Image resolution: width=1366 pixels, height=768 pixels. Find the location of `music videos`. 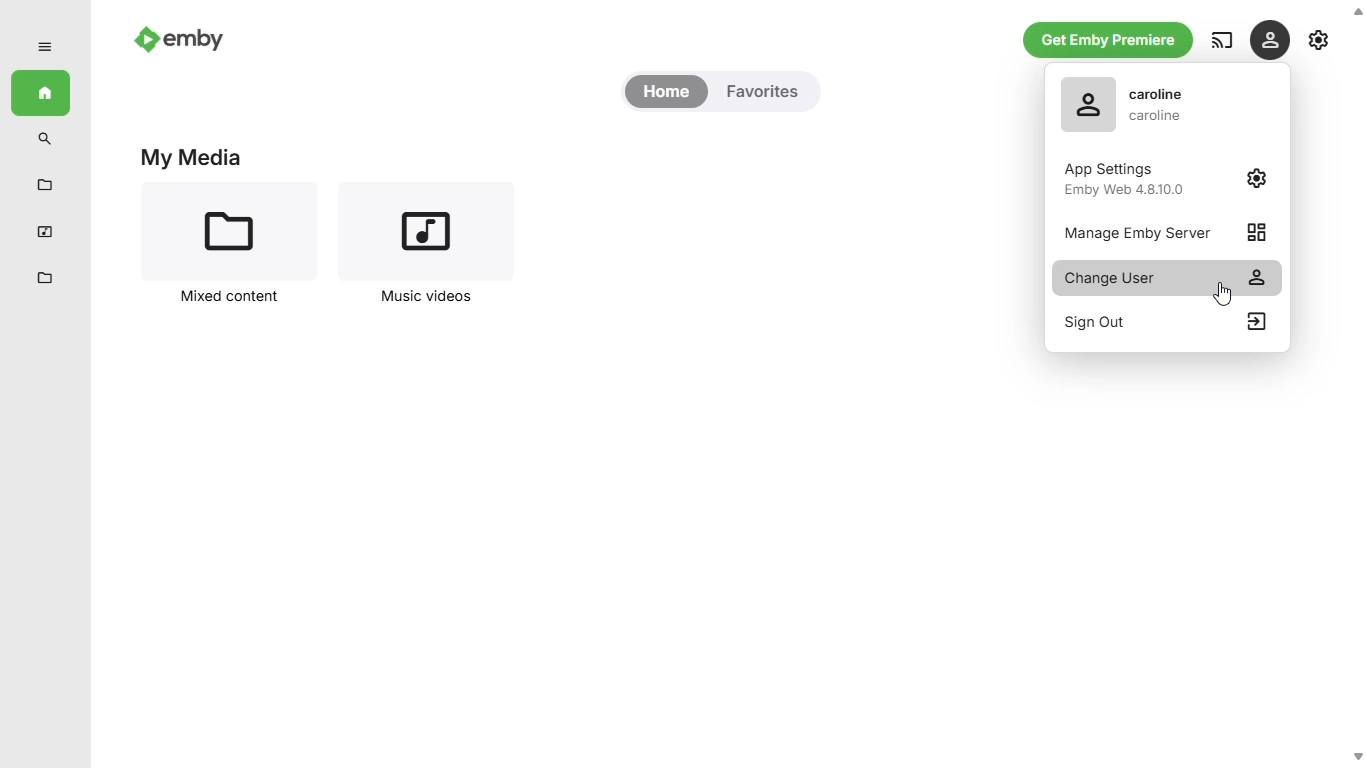

music videos is located at coordinates (45, 231).